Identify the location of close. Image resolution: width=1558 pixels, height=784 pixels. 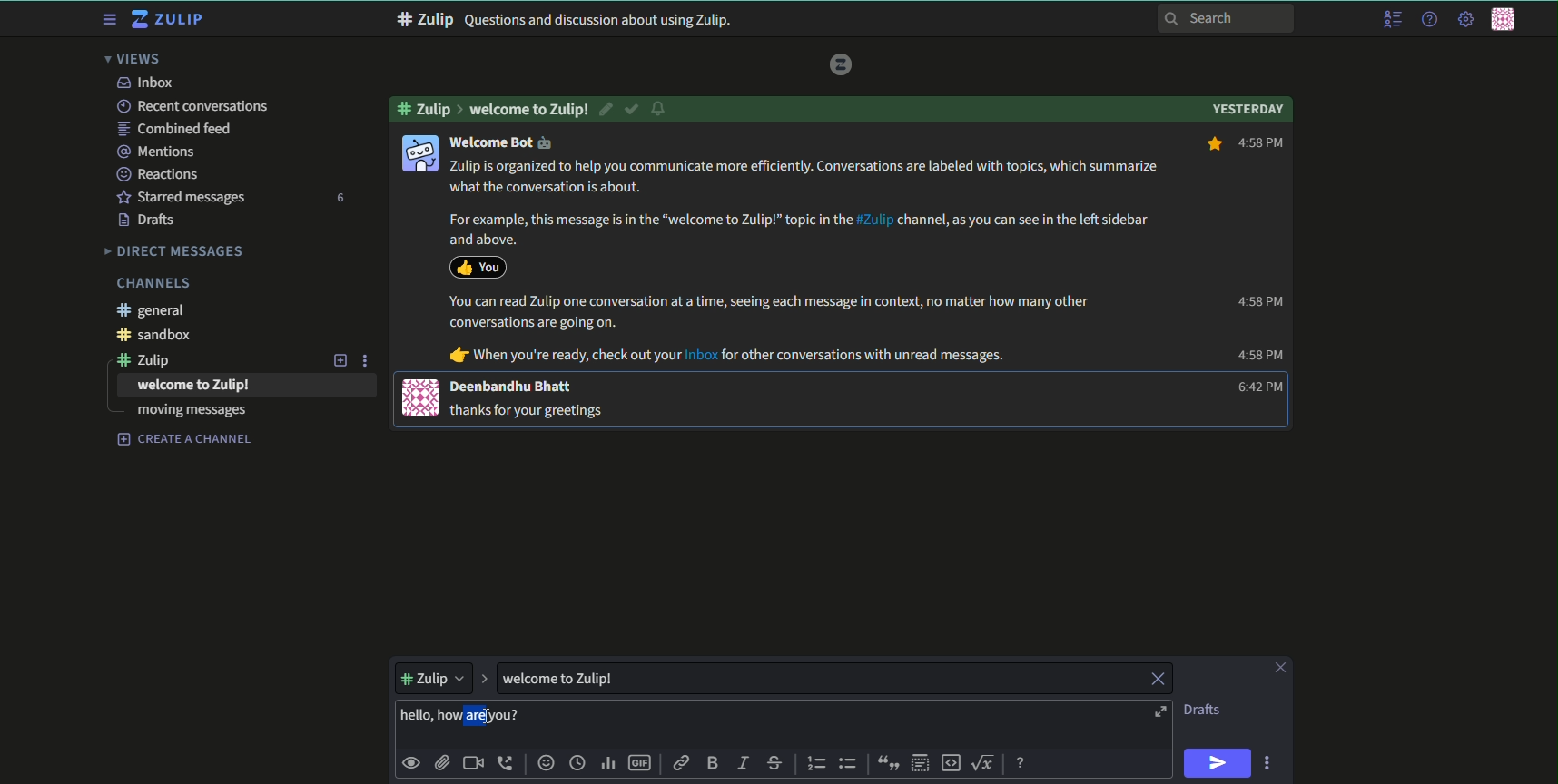
(1156, 680).